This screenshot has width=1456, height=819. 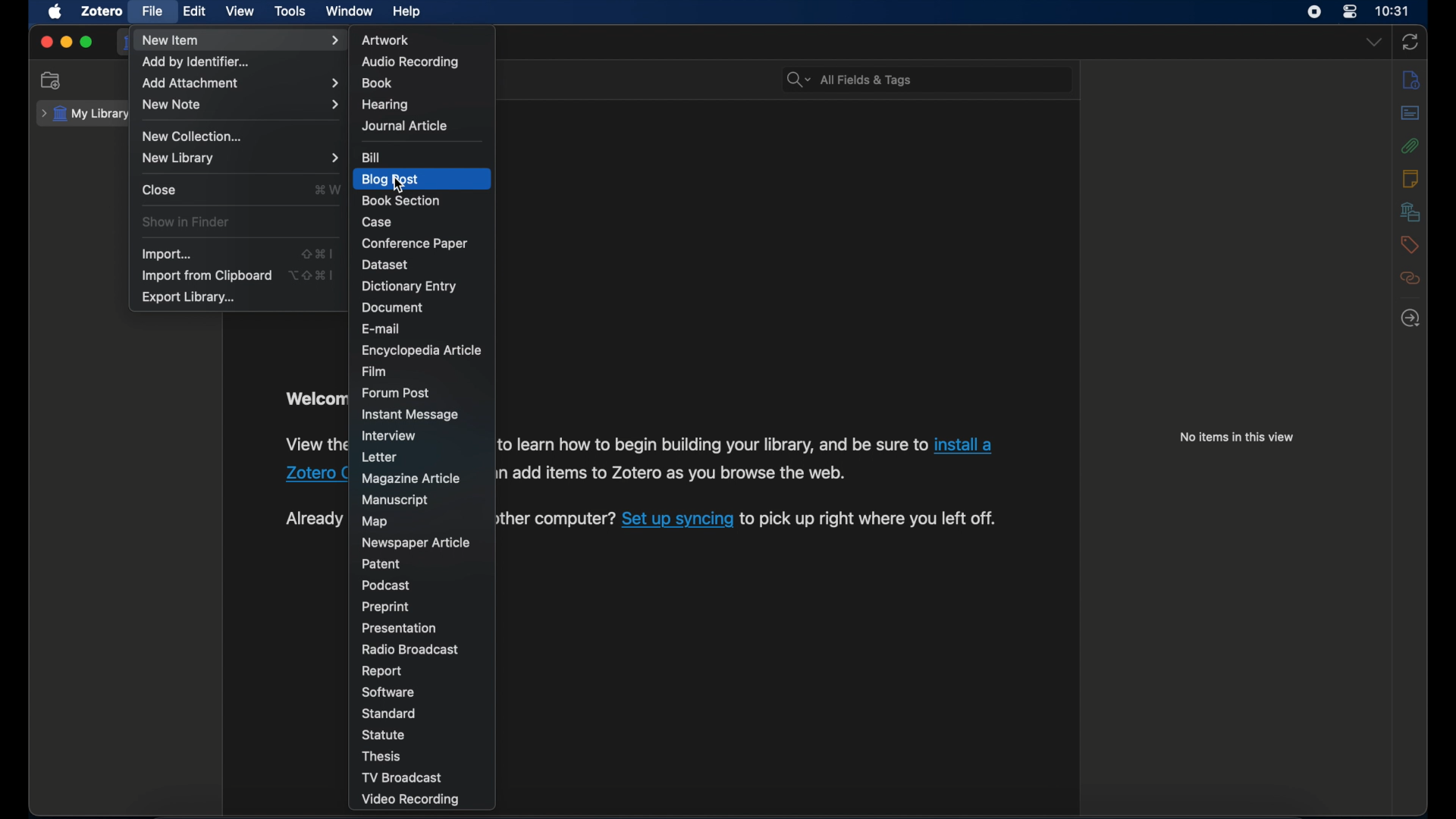 I want to click on help, so click(x=406, y=12).